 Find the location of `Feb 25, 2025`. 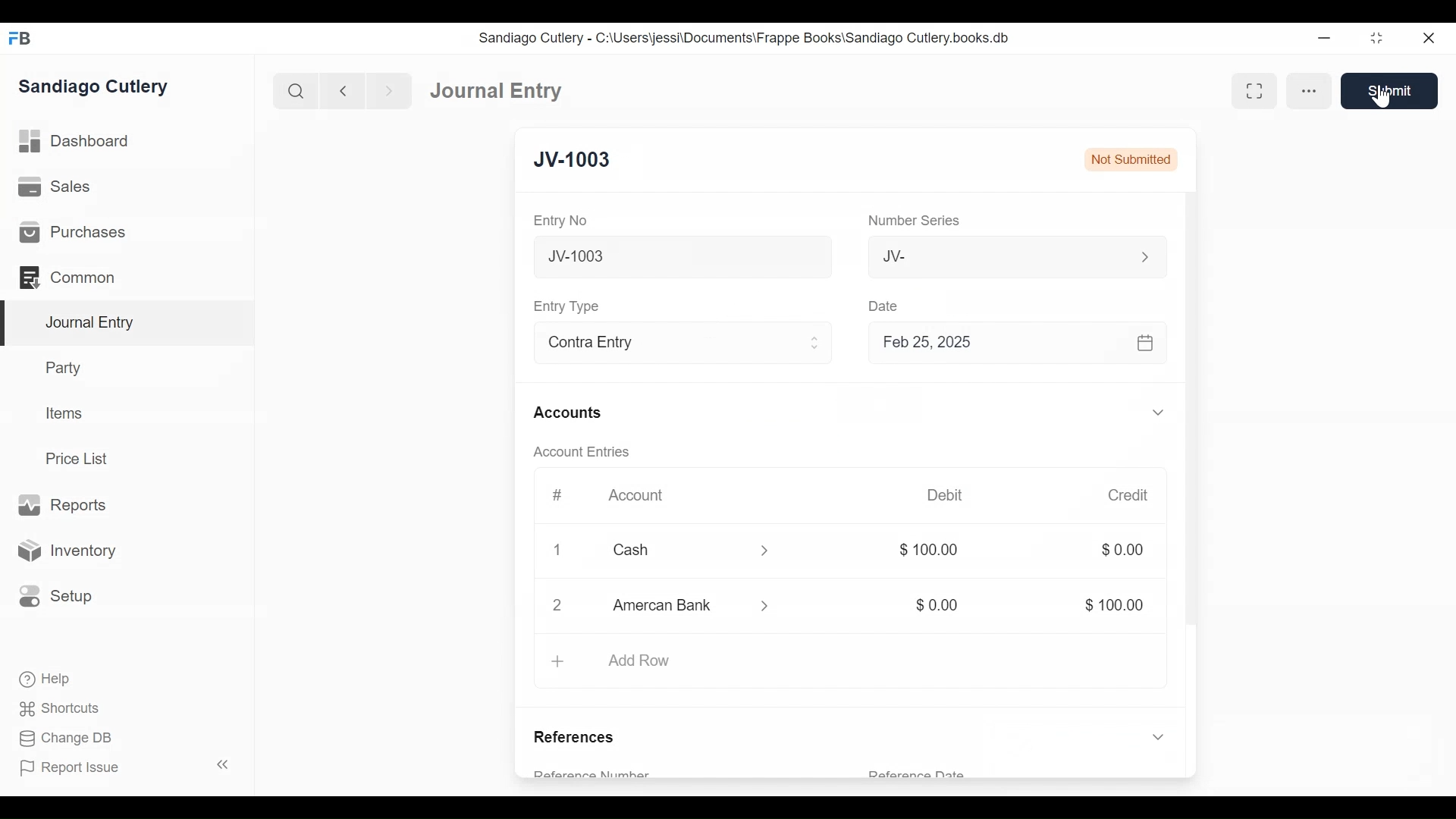

Feb 25, 2025 is located at coordinates (1019, 346).